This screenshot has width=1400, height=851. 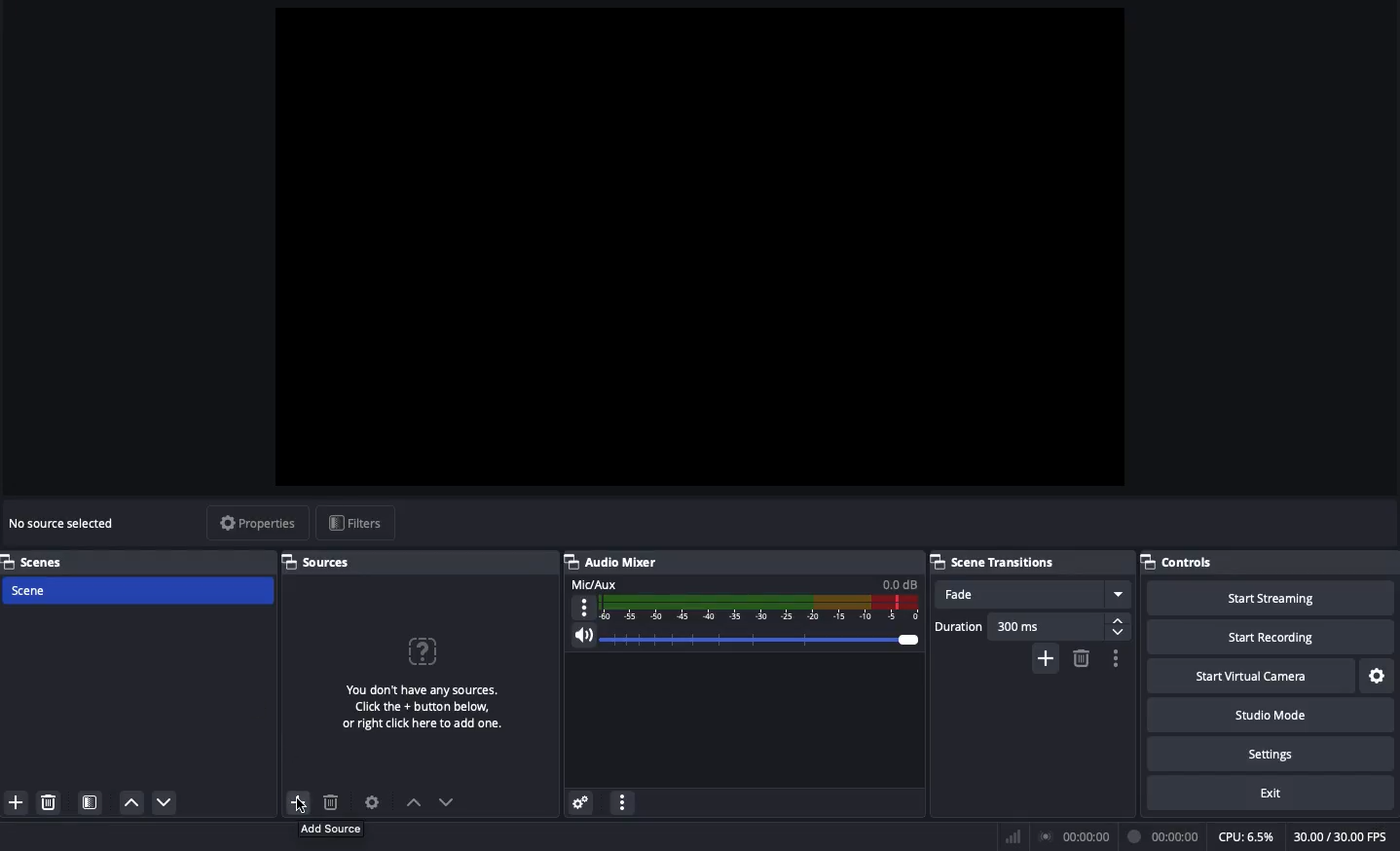 What do you see at coordinates (411, 801) in the screenshot?
I see `Move up` at bounding box center [411, 801].